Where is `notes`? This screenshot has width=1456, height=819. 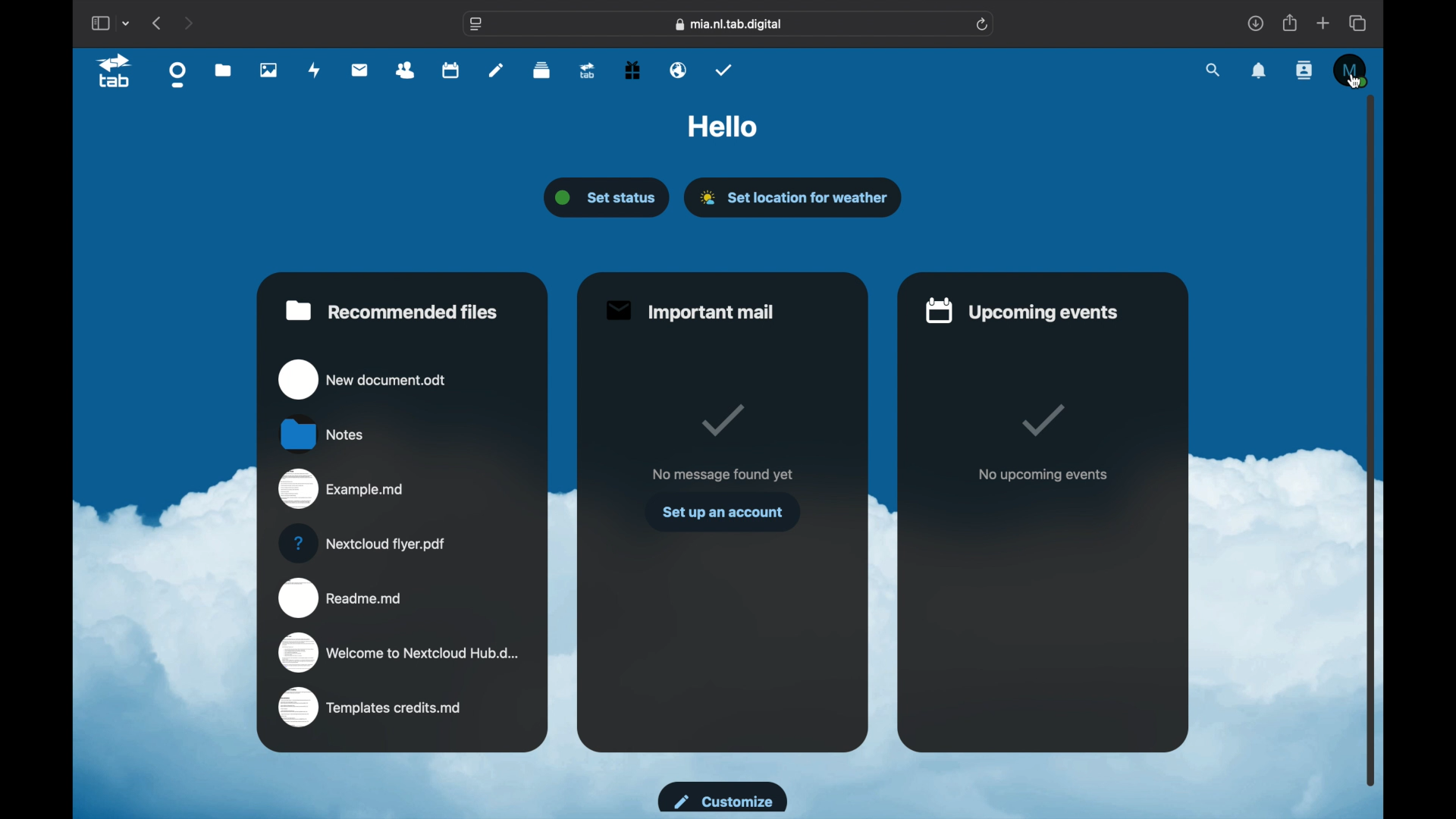 notes is located at coordinates (323, 434).